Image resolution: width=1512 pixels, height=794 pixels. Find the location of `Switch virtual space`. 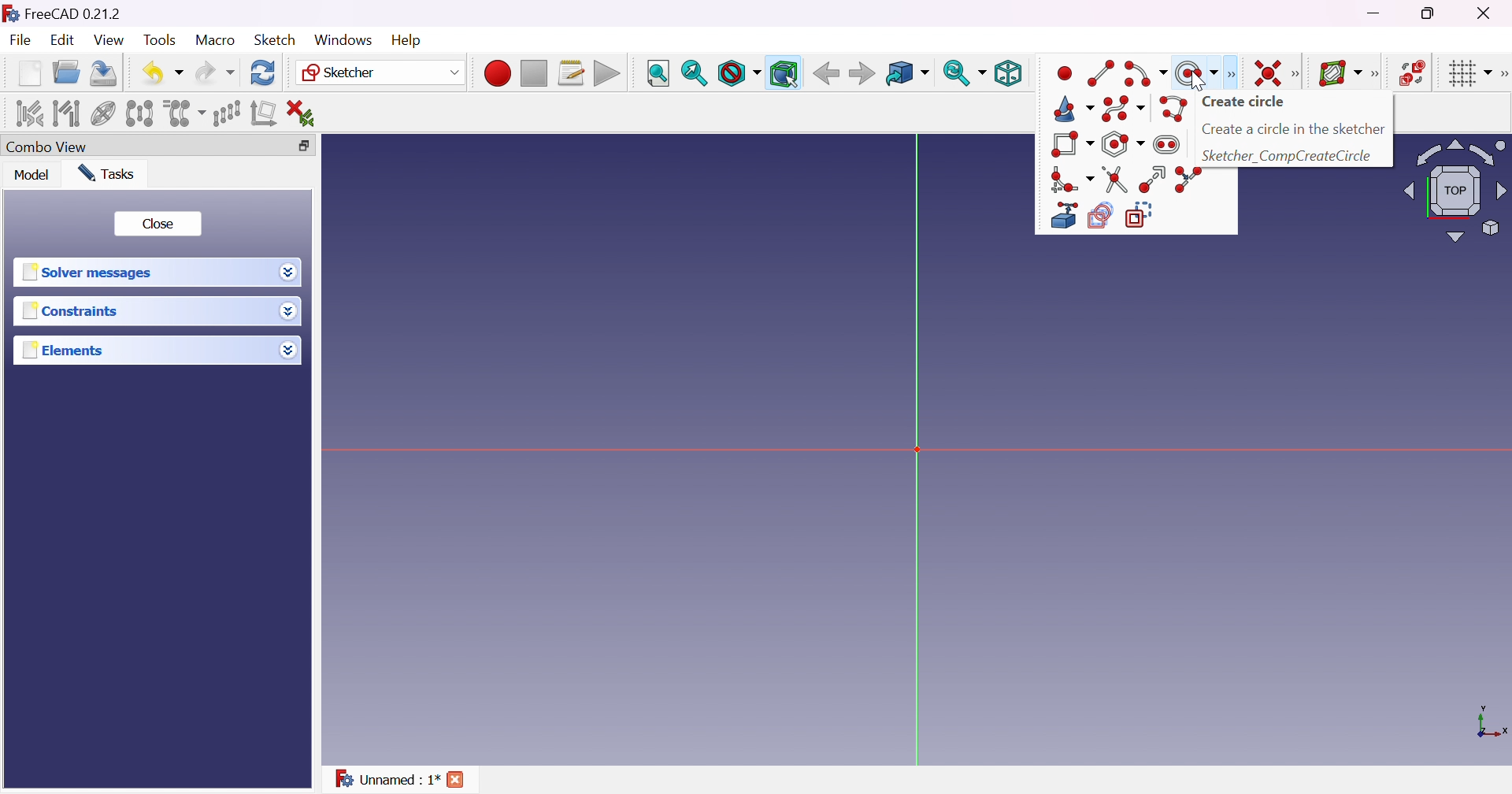

Switch virtual space is located at coordinates (1413, 72).